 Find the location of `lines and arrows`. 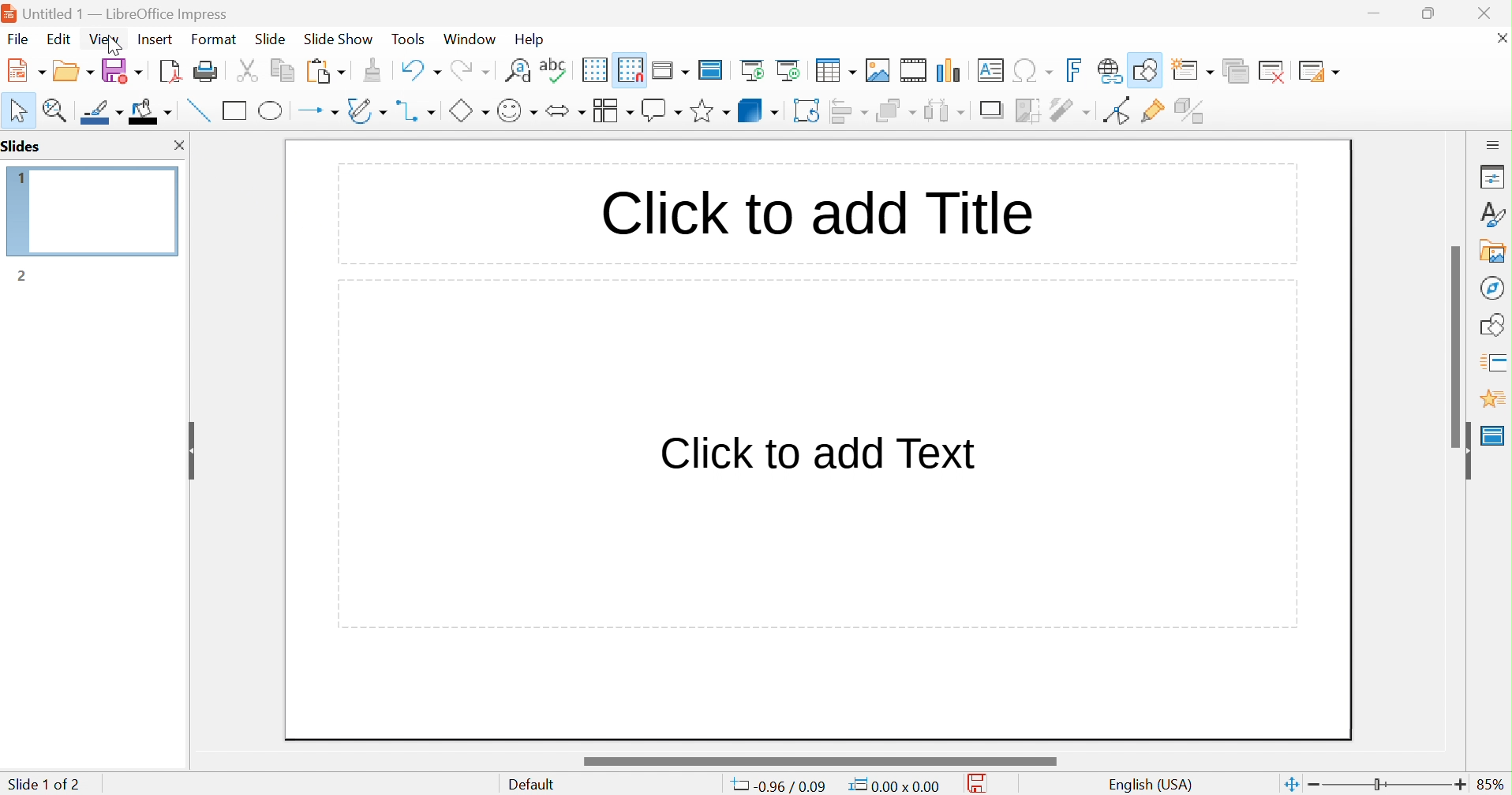

lines and arrows is located at coordinates (318, 111).